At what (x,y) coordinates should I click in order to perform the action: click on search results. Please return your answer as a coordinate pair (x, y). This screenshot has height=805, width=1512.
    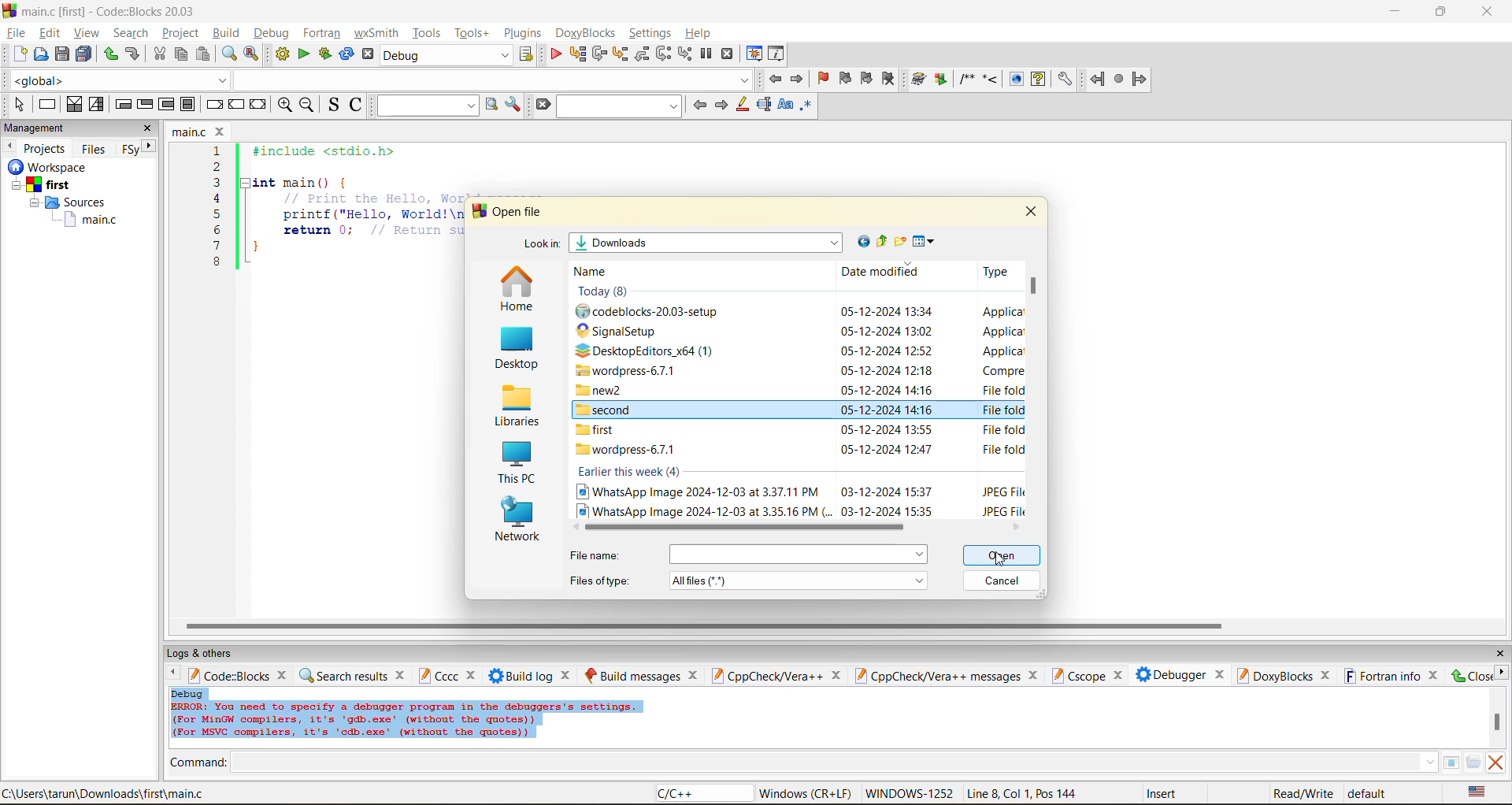
    Looking at the image, I should click on (343, 675).